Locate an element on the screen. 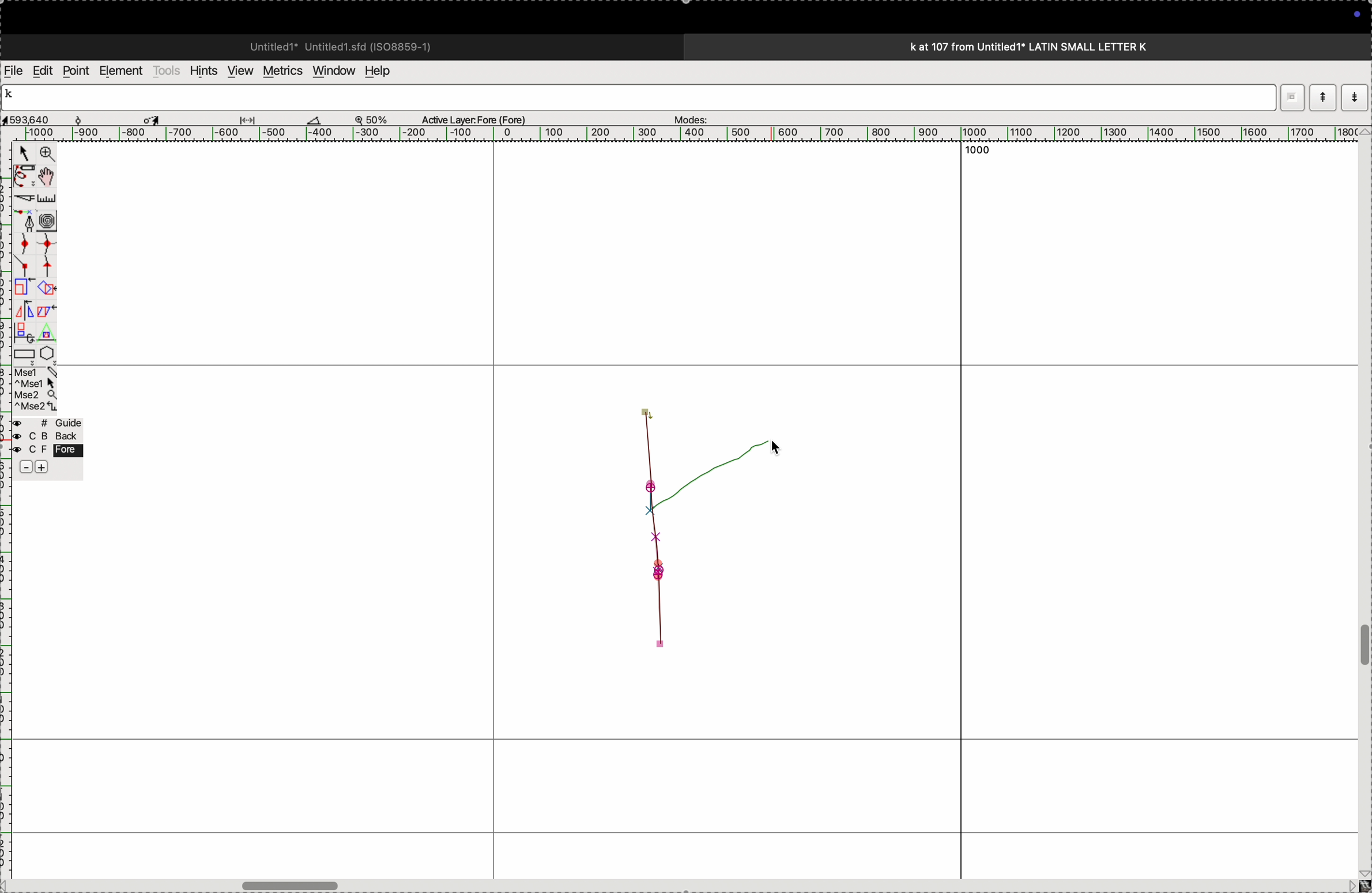 Image resolution: width=1372 pixels, height=893 pixels. cursor is located at coordinates (24, 155).